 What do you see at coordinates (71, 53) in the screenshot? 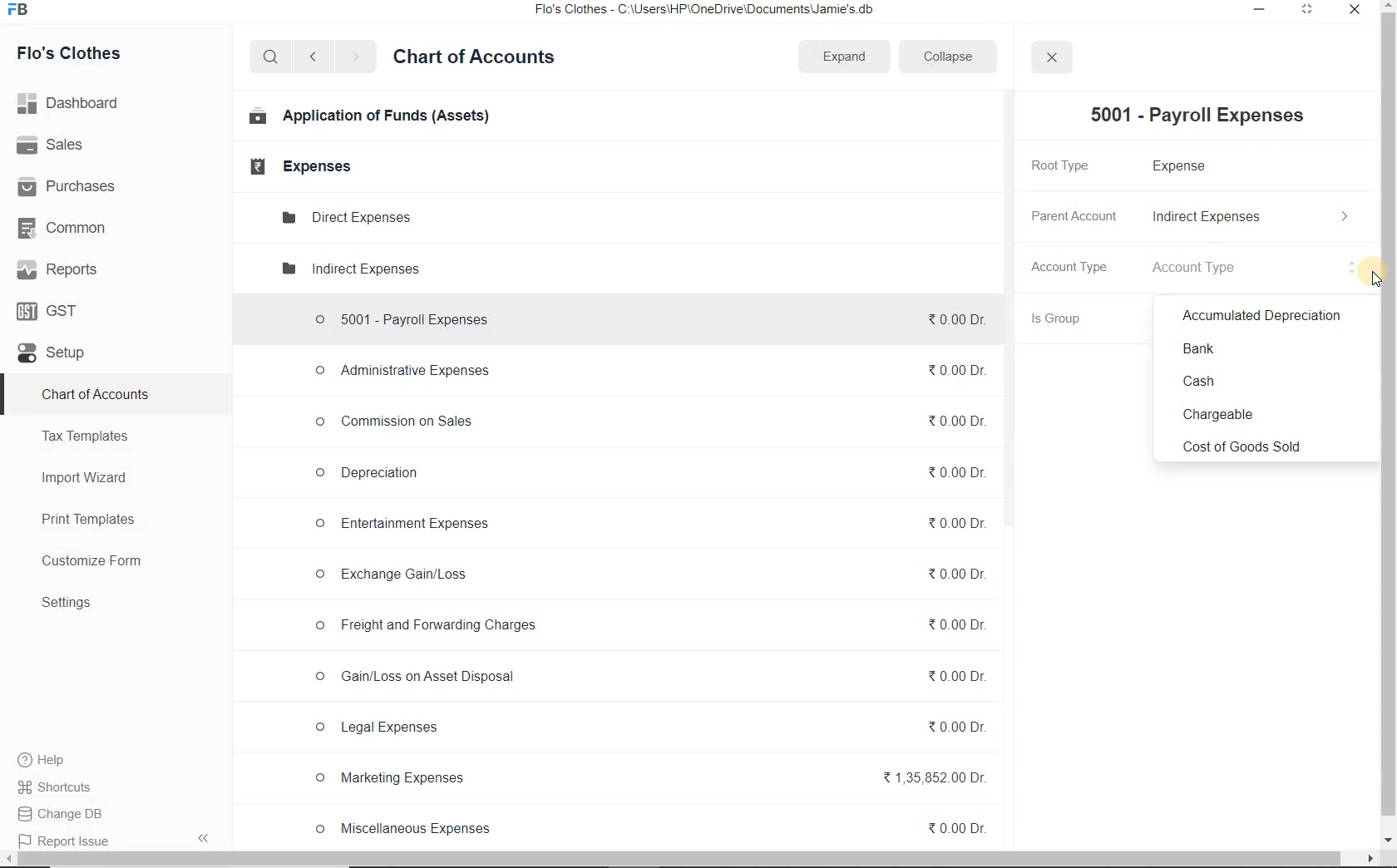
I see `Flo's Clothes` at bounding box center [71, 53].